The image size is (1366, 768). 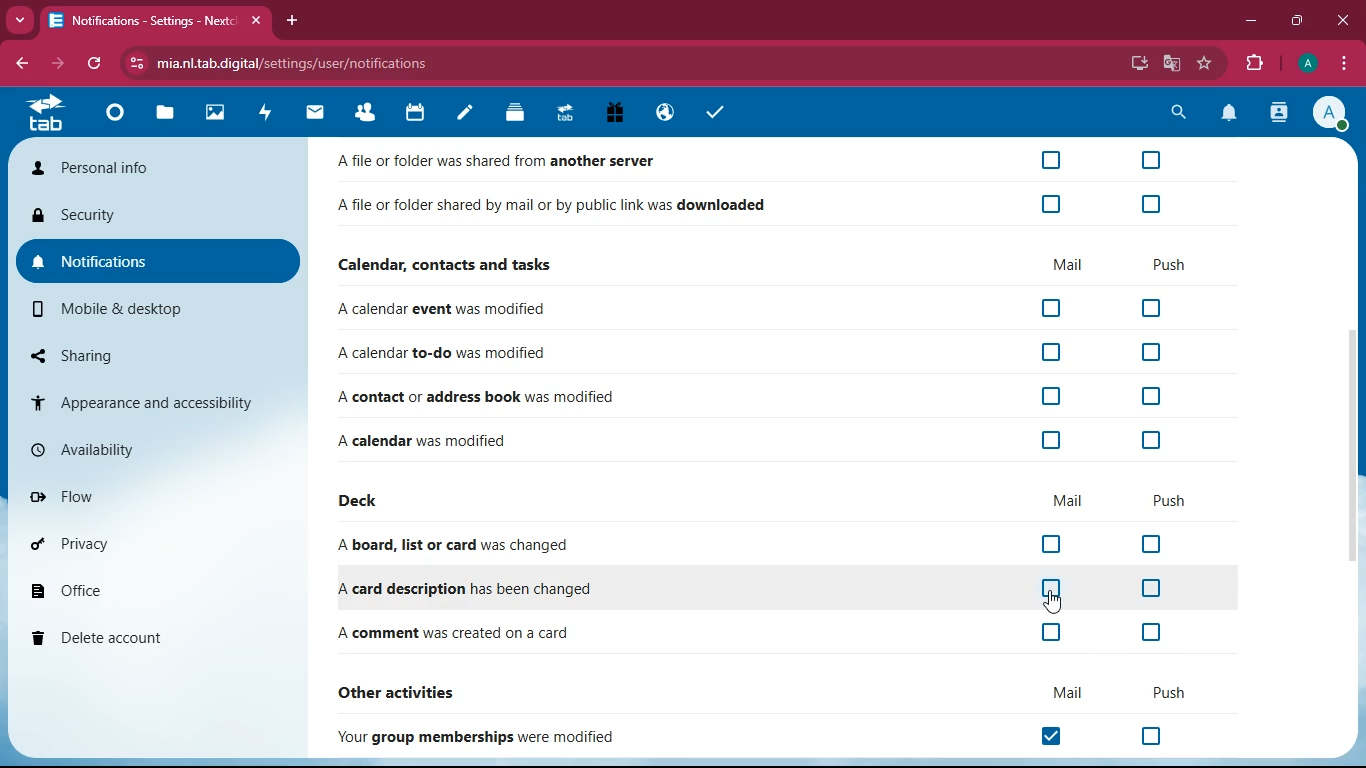 I want to click on notifications, so click(x=1229, y=114).